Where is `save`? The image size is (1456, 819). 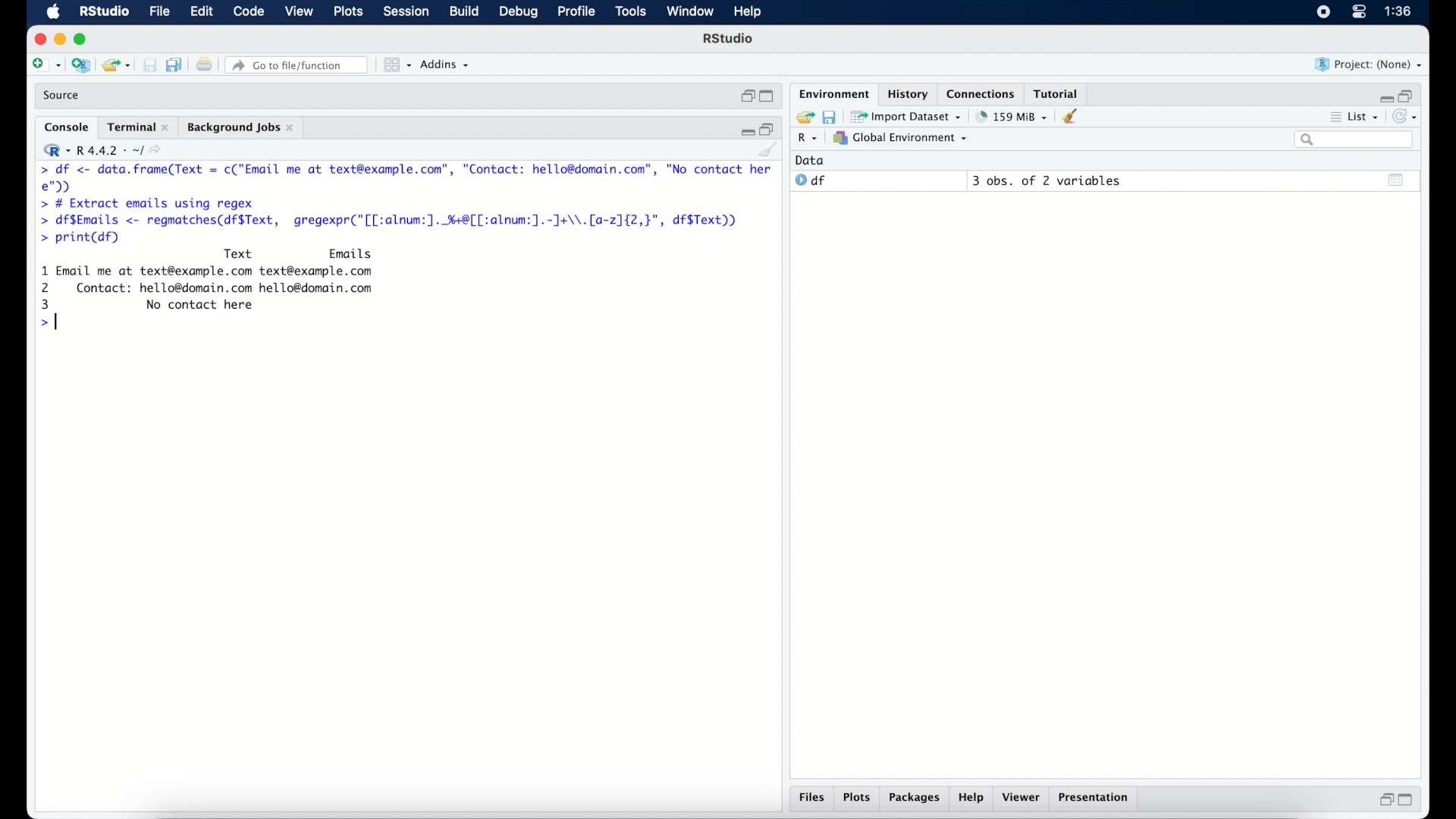
save is located at coordinates (833, 117).